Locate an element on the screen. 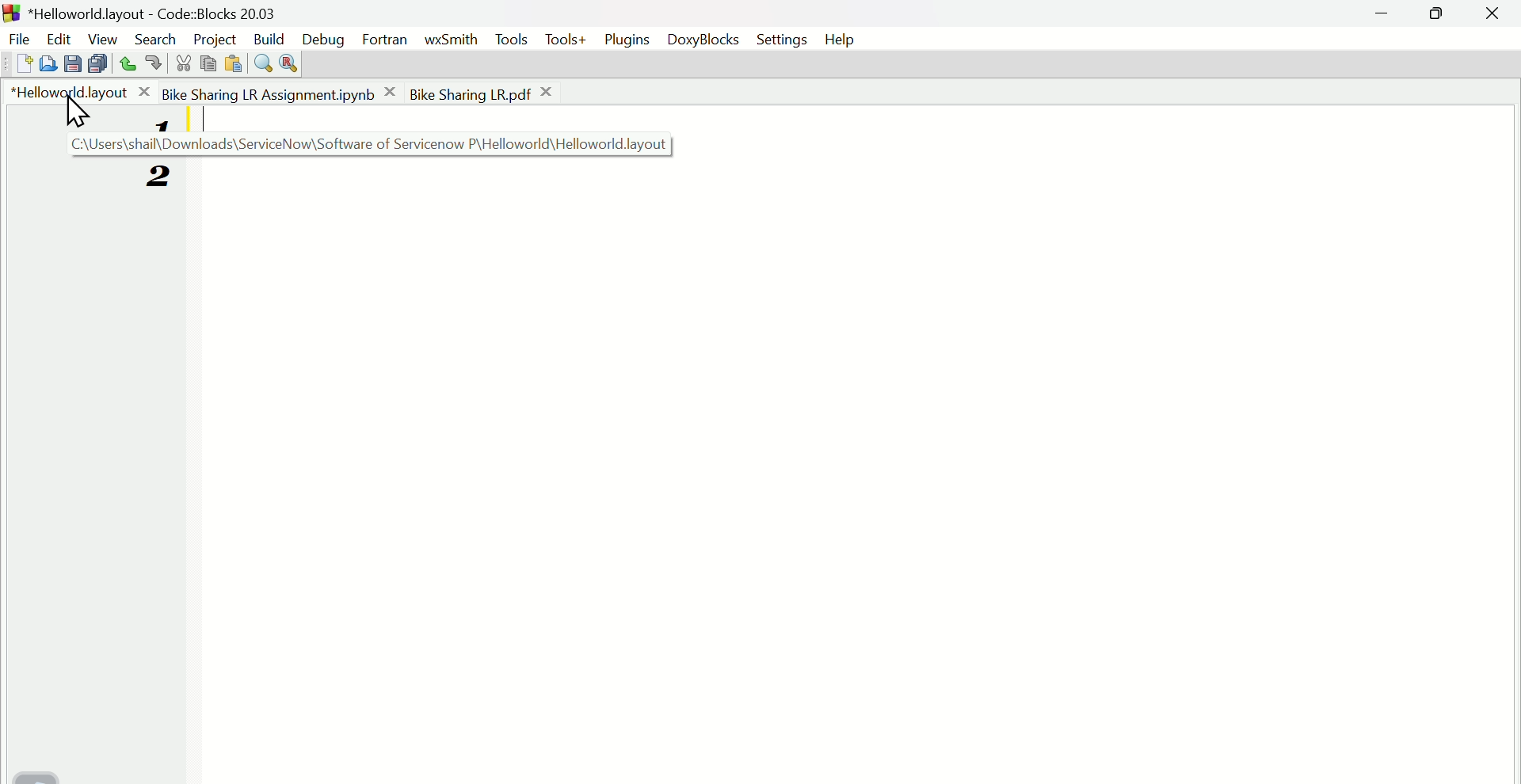 This screenshot has width=1521, height=784. Help is located at coordinates (847, 38).